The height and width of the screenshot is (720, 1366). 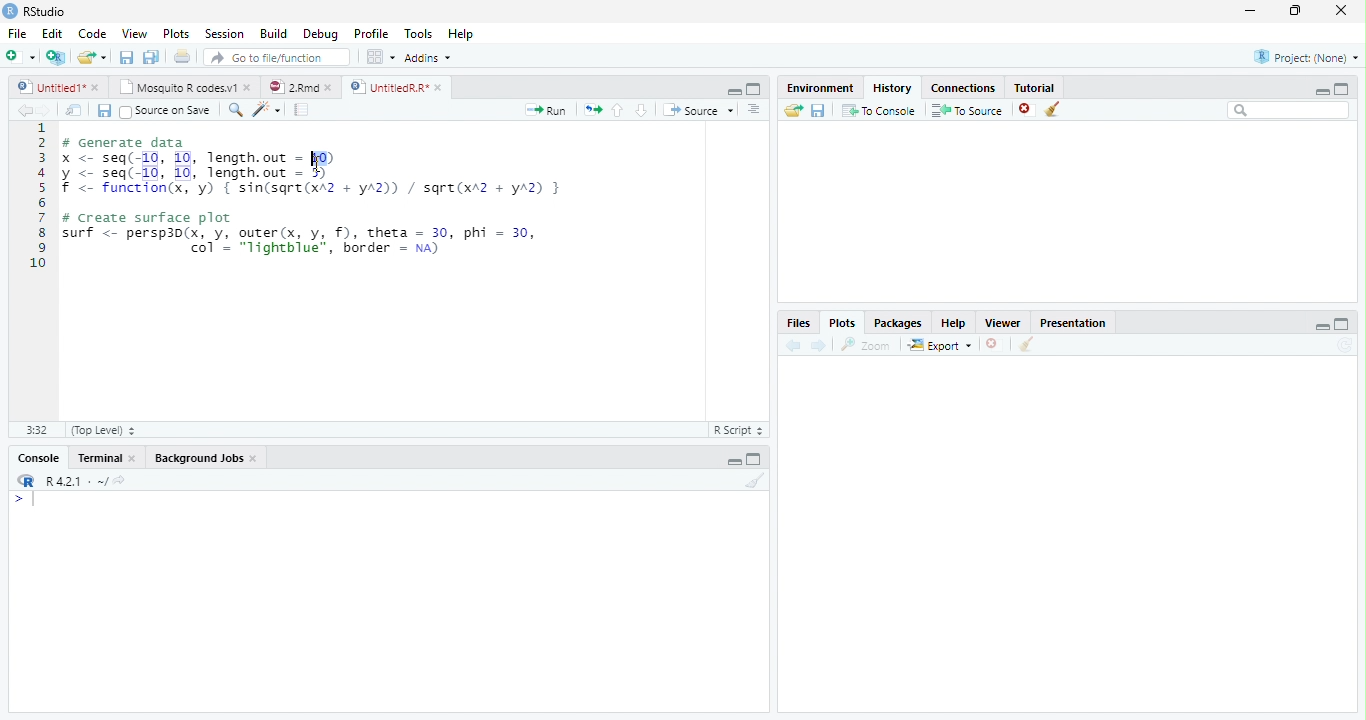 I want to click on close, so click(x=438, y=87).